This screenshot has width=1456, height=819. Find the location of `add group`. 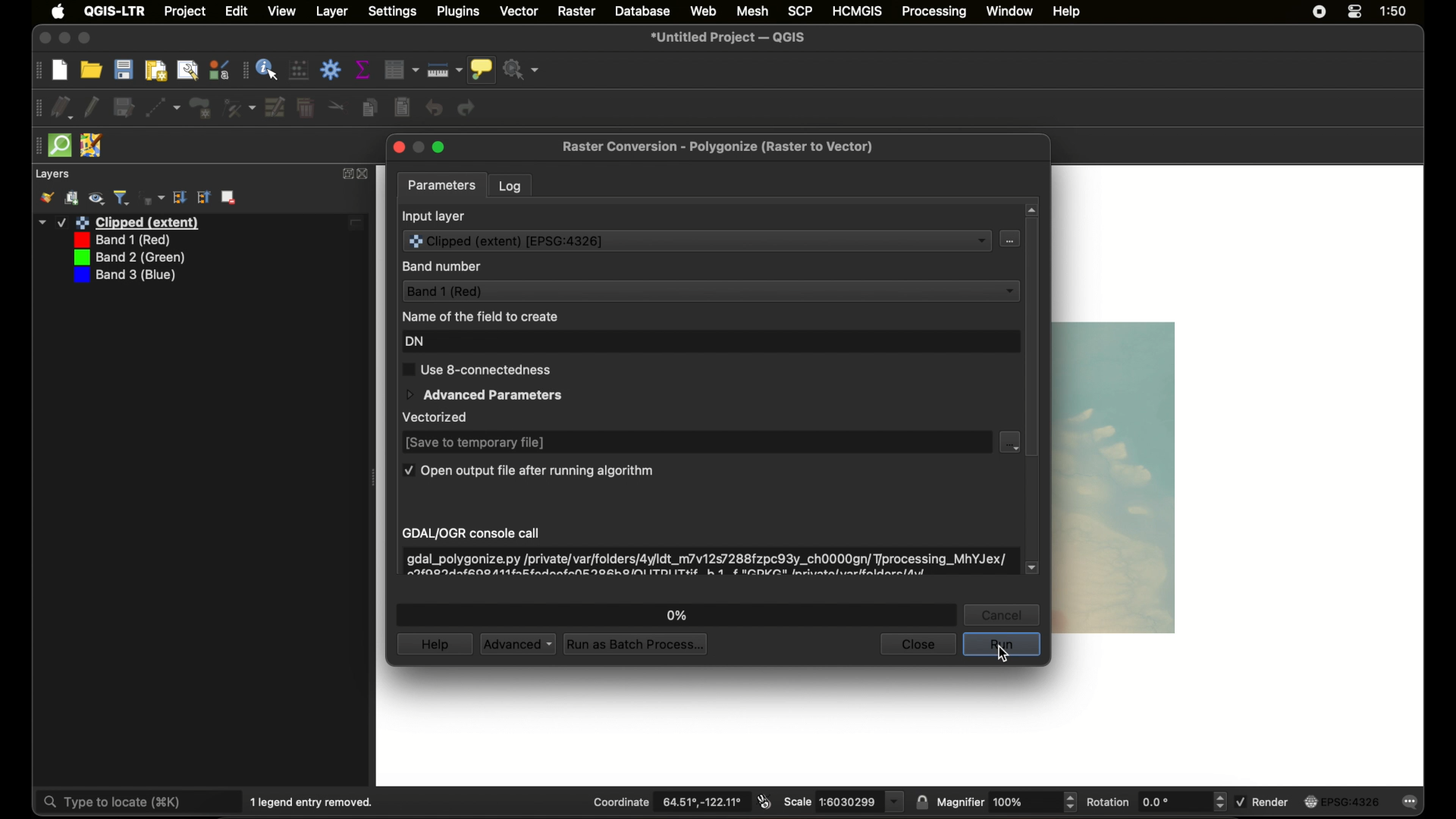

add group is located at coordinates (72, 198).